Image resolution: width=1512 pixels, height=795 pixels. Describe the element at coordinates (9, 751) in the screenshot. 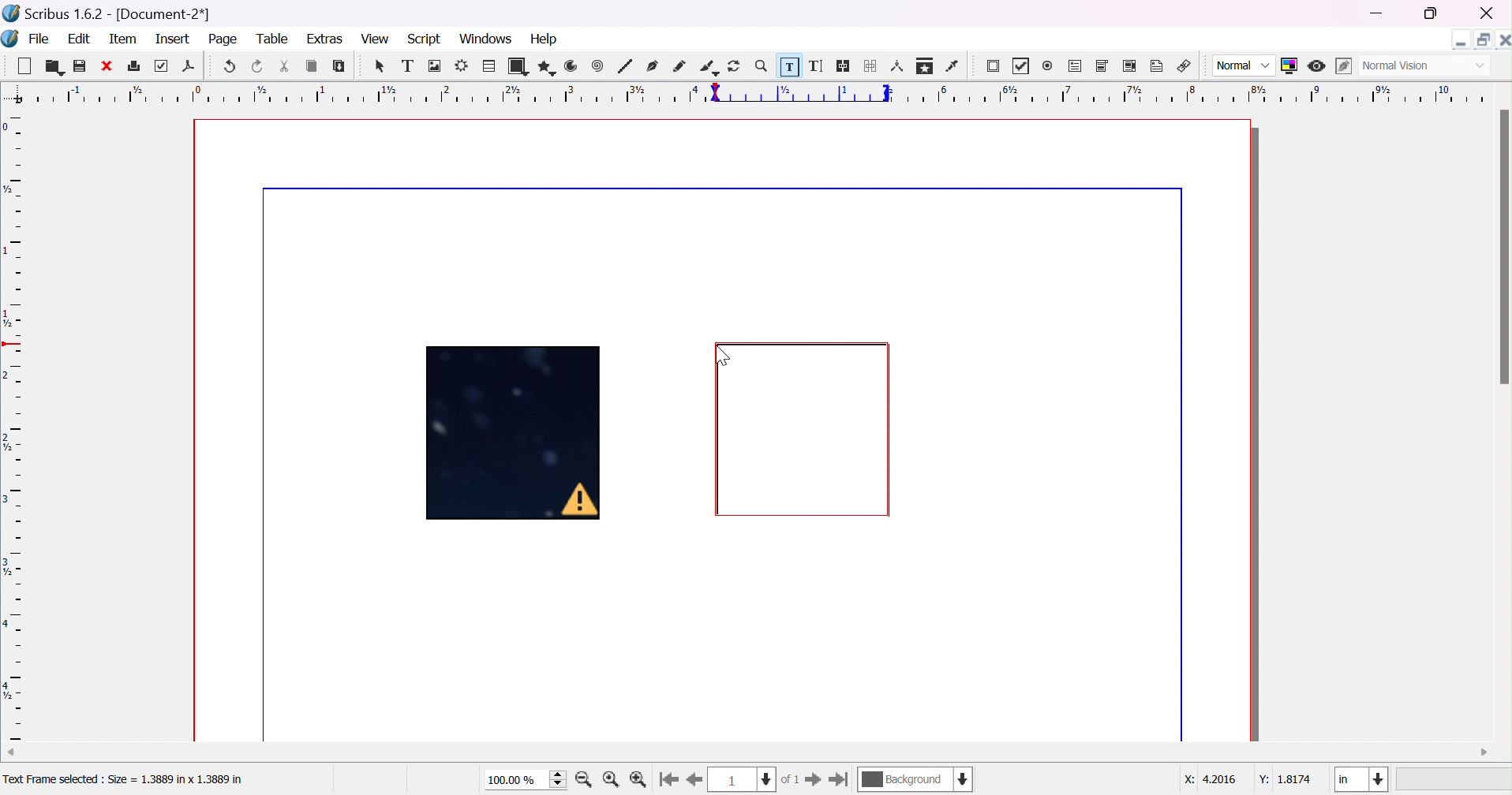

I see `scroll left` at that location.